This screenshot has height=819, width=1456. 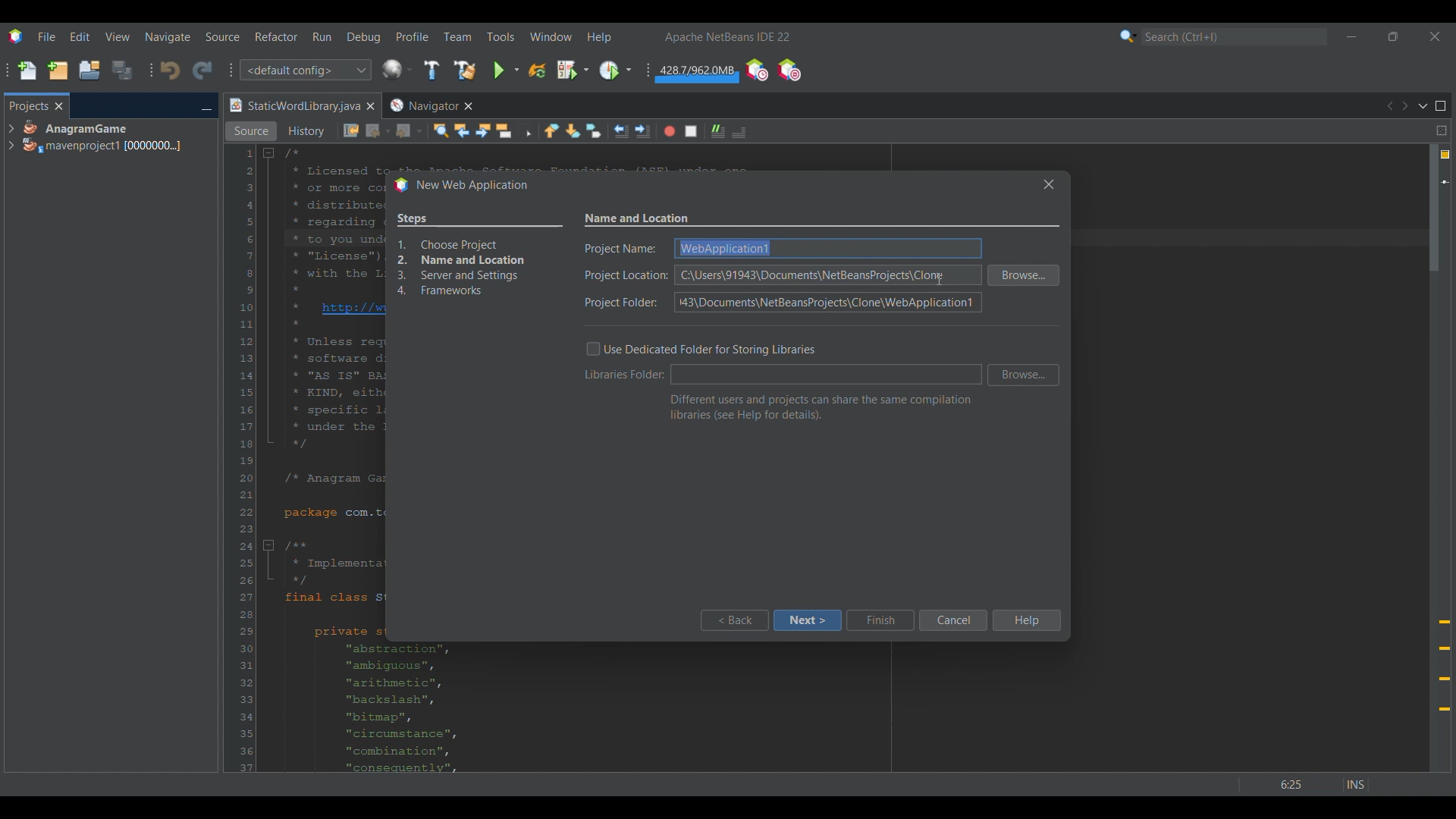 What do you see at coordinates (305, 70) in the screenshot?
I see `Configuration options` at bounding box center [305, 70].